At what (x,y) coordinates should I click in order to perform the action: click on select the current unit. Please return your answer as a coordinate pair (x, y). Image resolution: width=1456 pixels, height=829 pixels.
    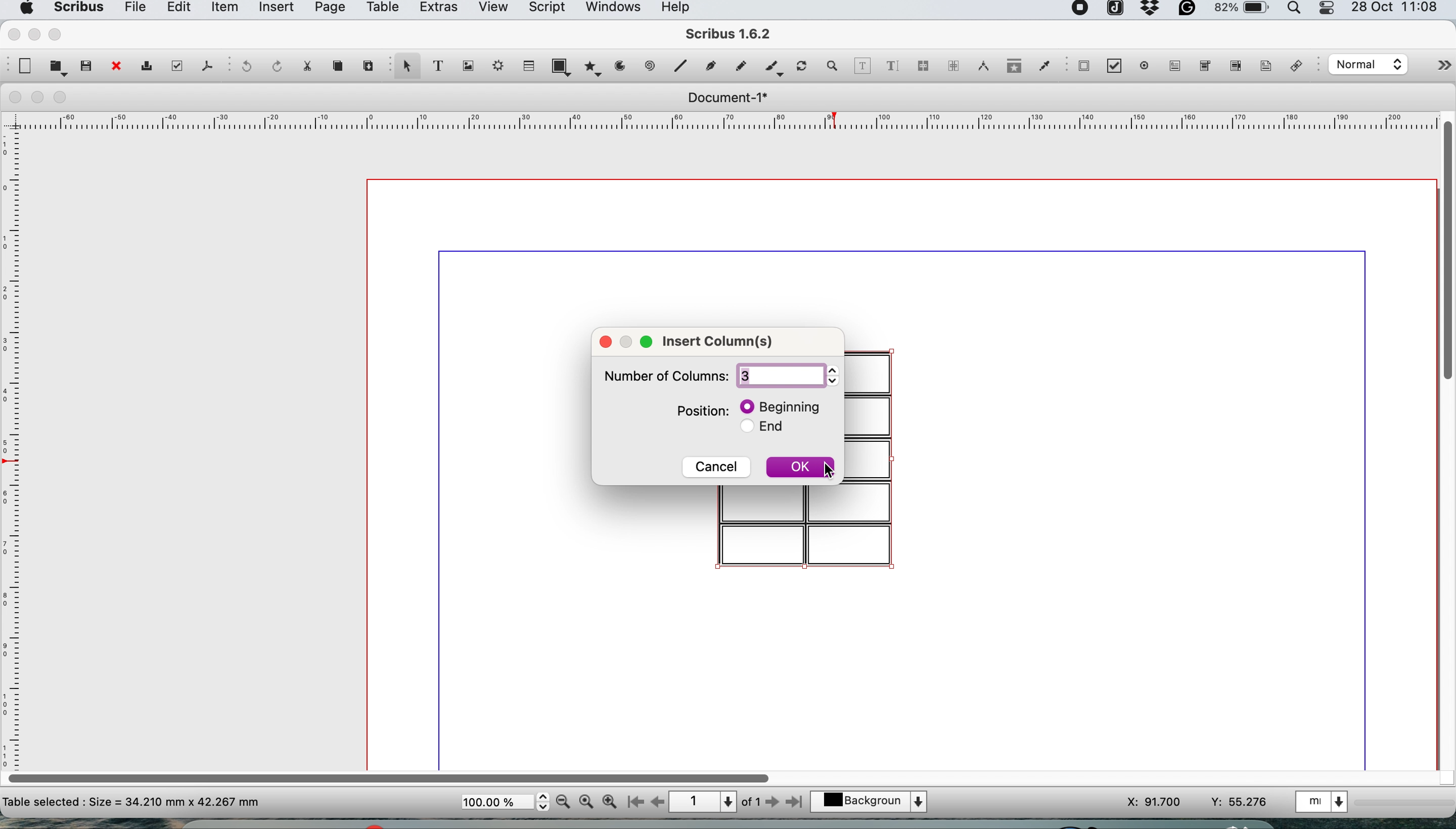
    Looking at the image, I should click on (1324, 801).